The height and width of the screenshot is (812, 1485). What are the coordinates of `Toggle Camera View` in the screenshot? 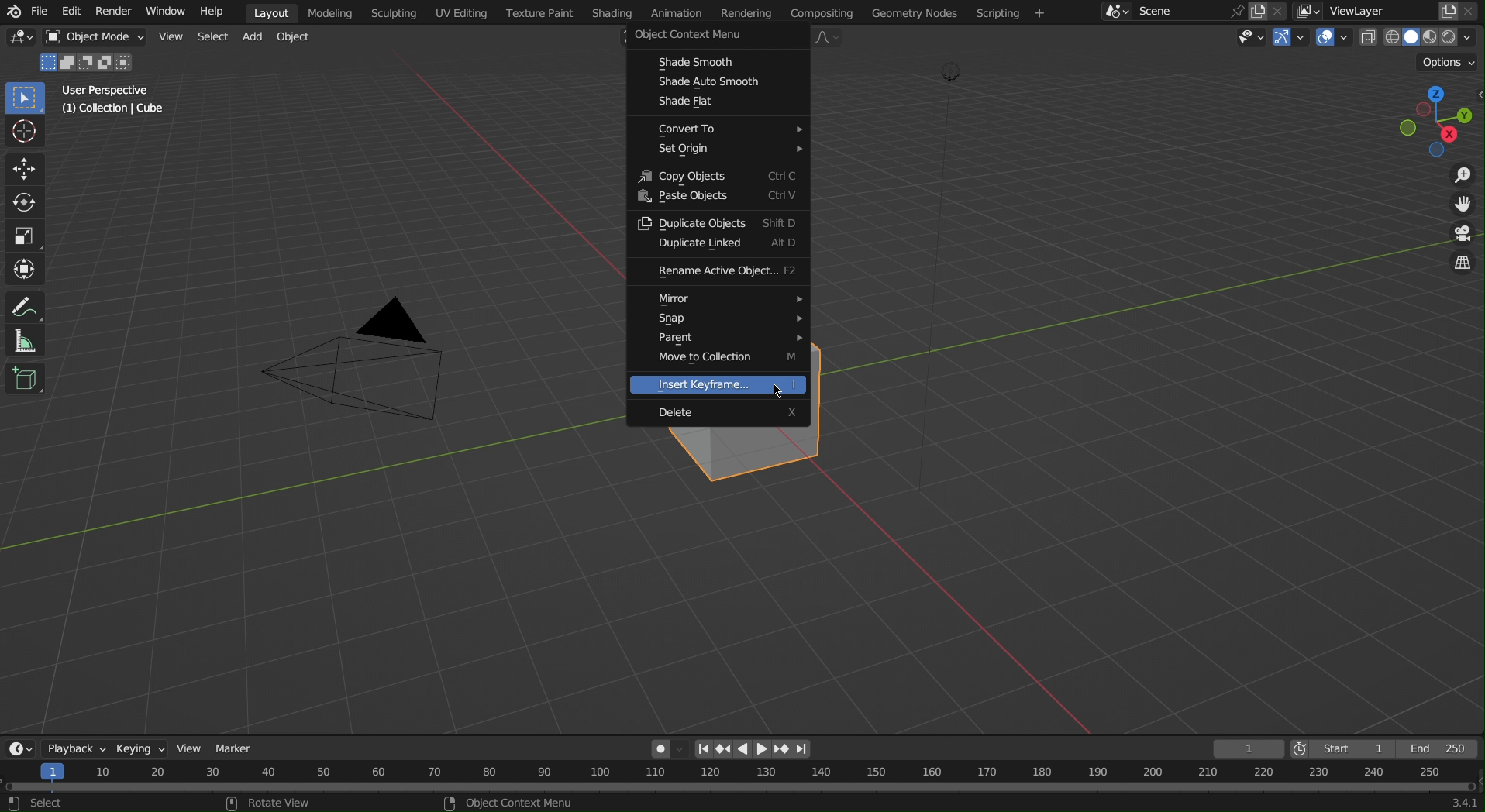 It's located at (1460, 235).